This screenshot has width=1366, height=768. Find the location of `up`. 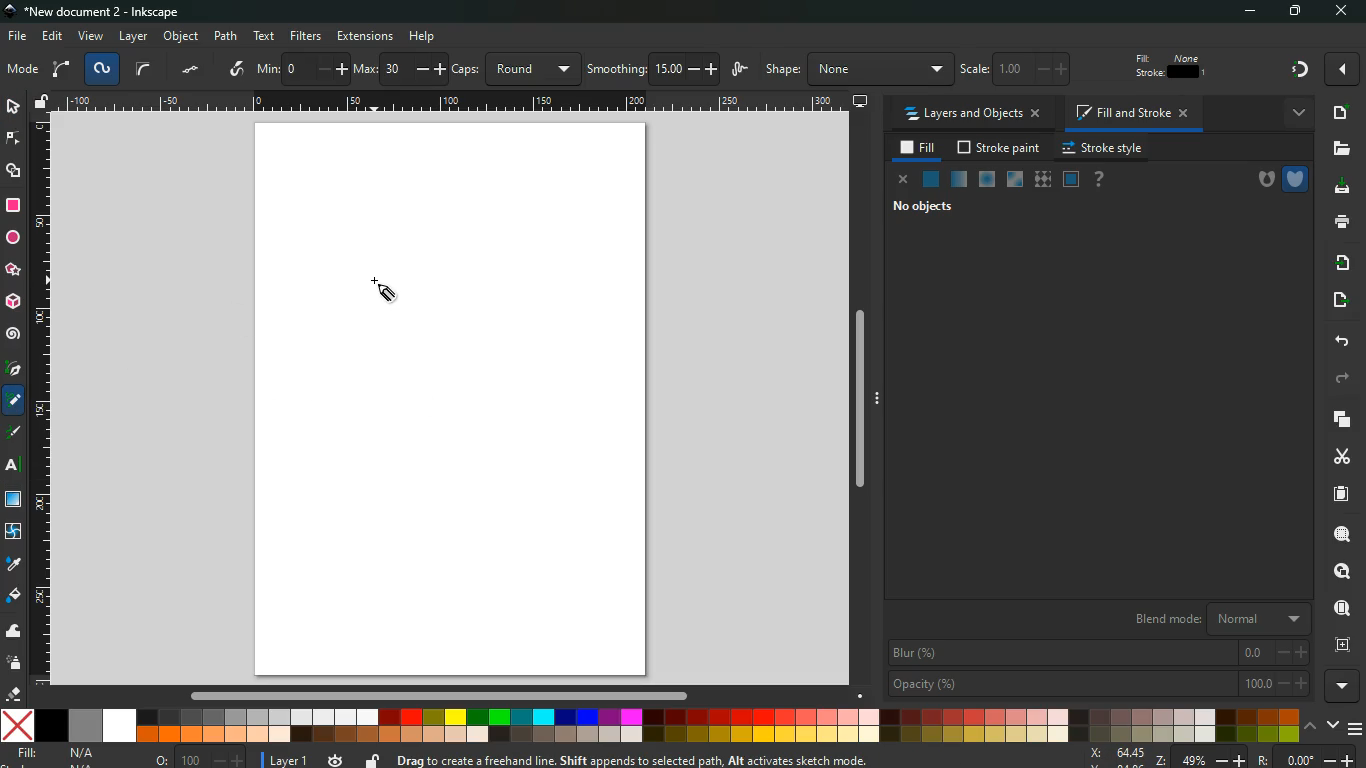

up is located at coordinates (1310, 727).